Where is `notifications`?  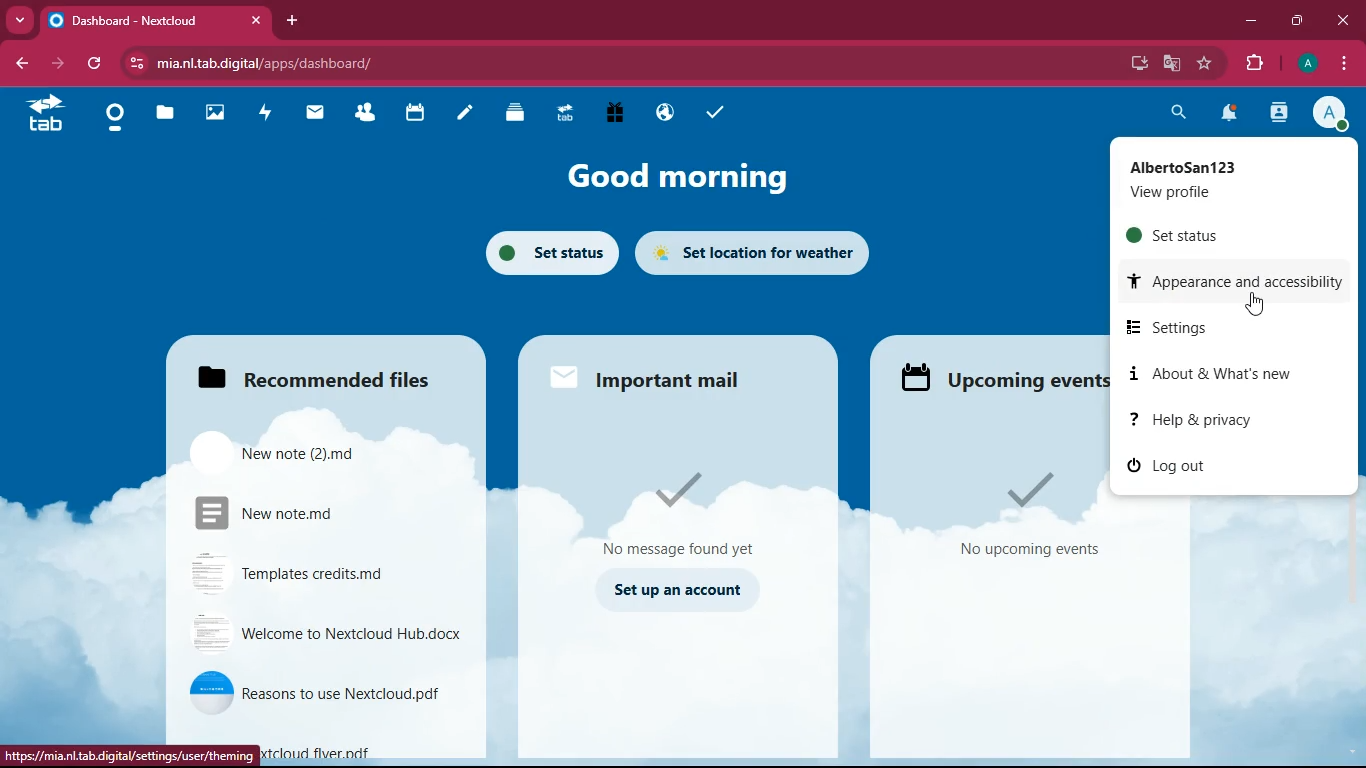 notifications is located at coordinates (1230, 112).